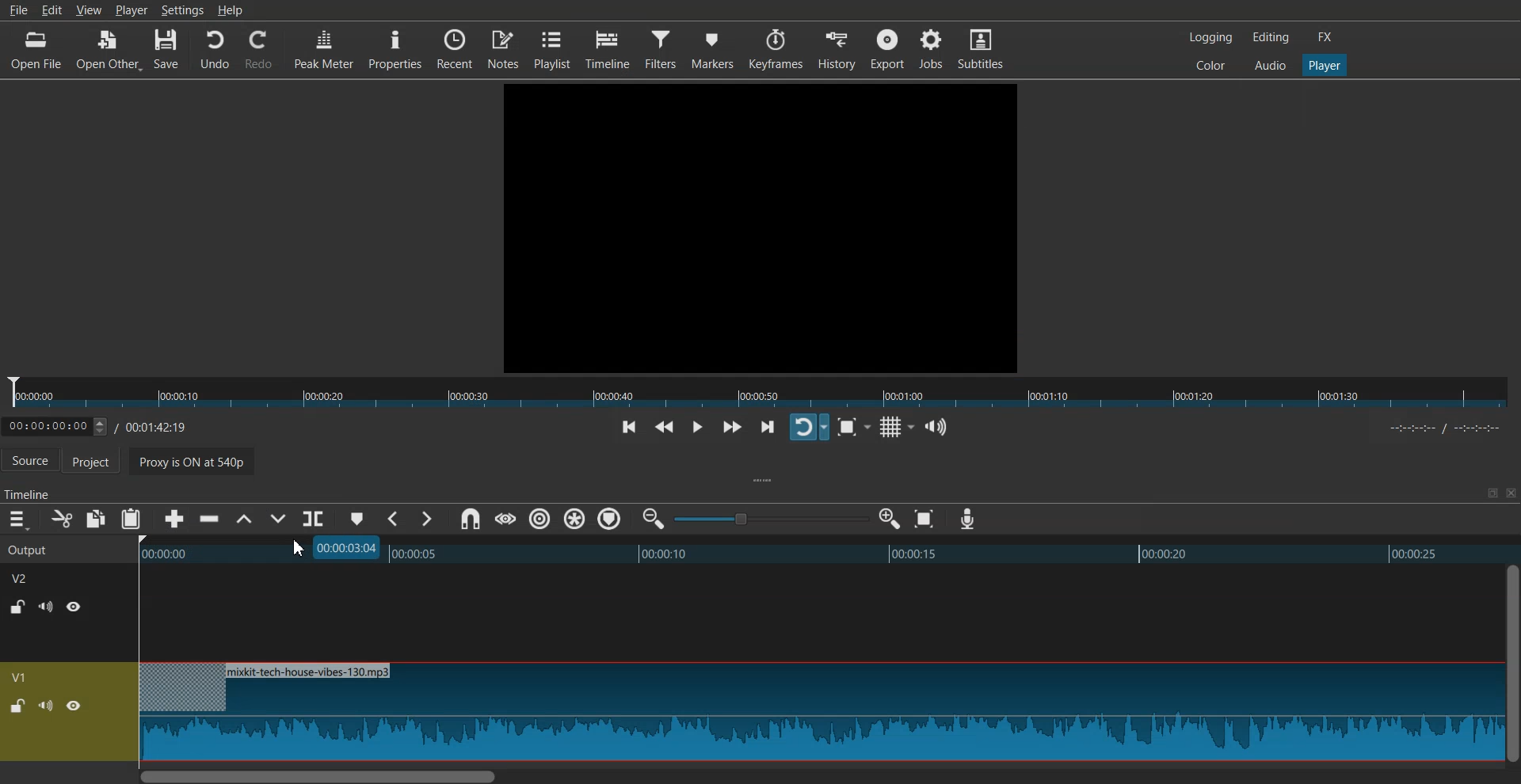  I want to click on Show the volume control, so click(936, 428).